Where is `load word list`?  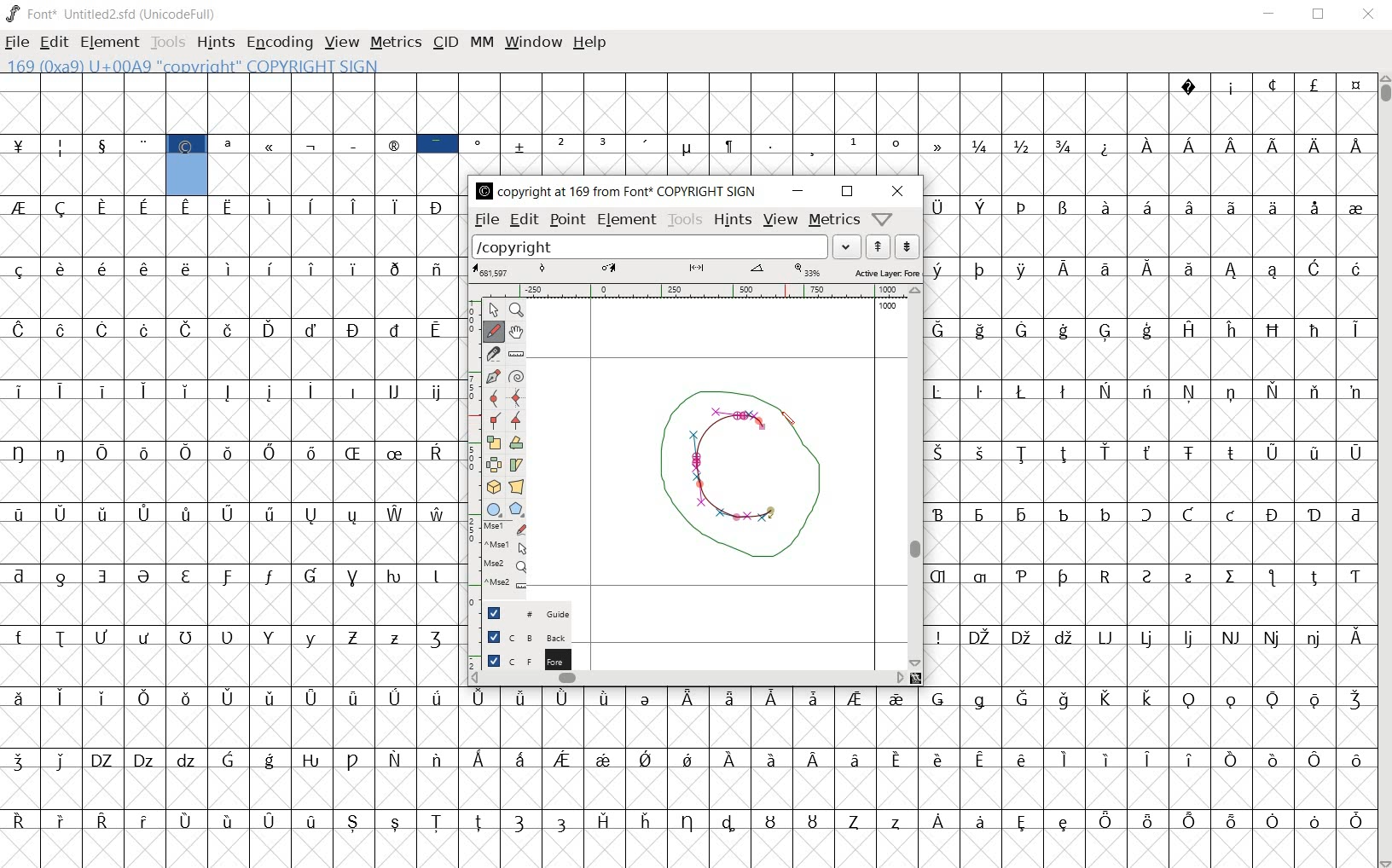
load word list is located at coordinates (665, 246).